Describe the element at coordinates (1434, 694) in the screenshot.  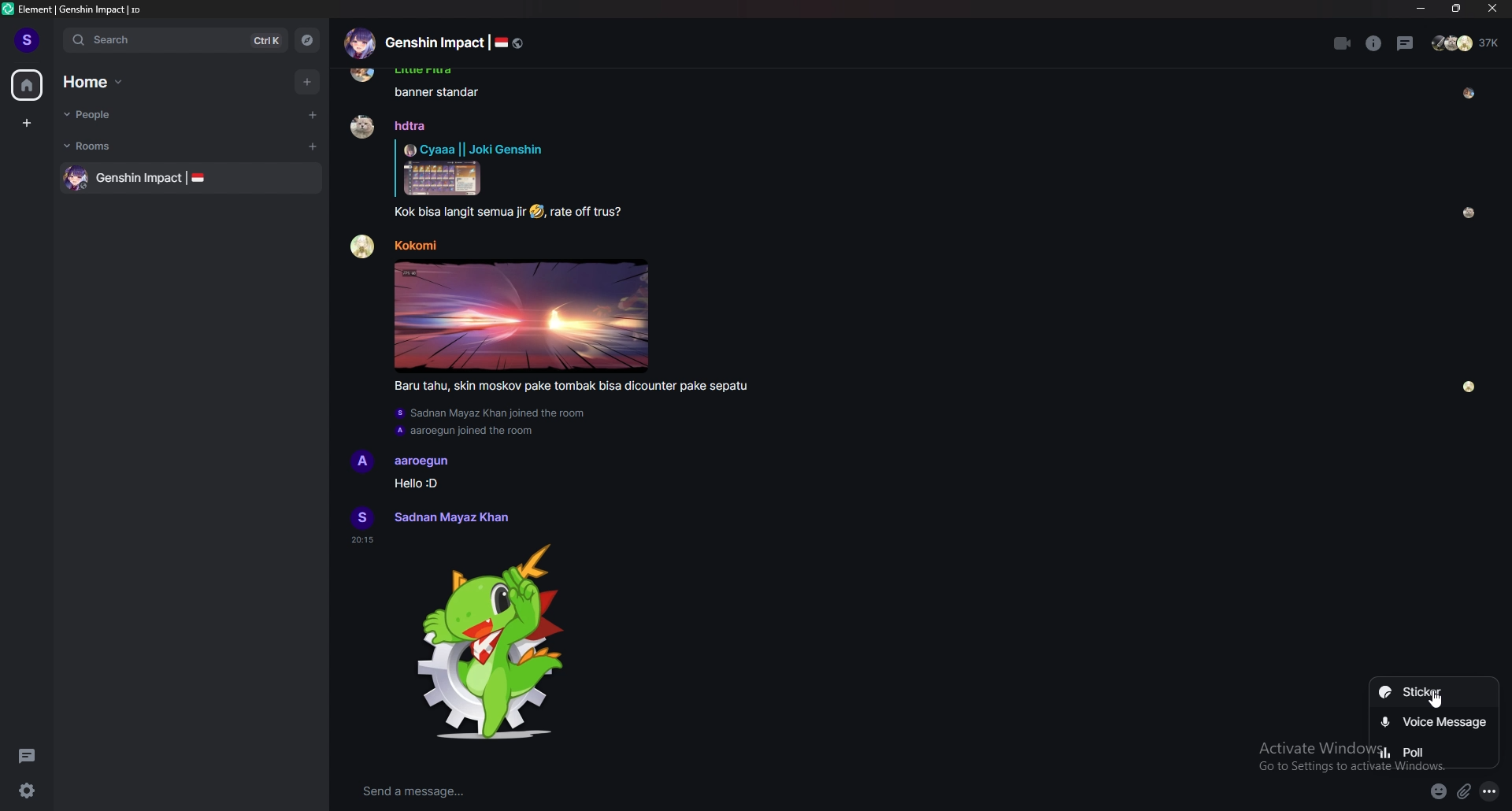
I see `sticker` at that location.